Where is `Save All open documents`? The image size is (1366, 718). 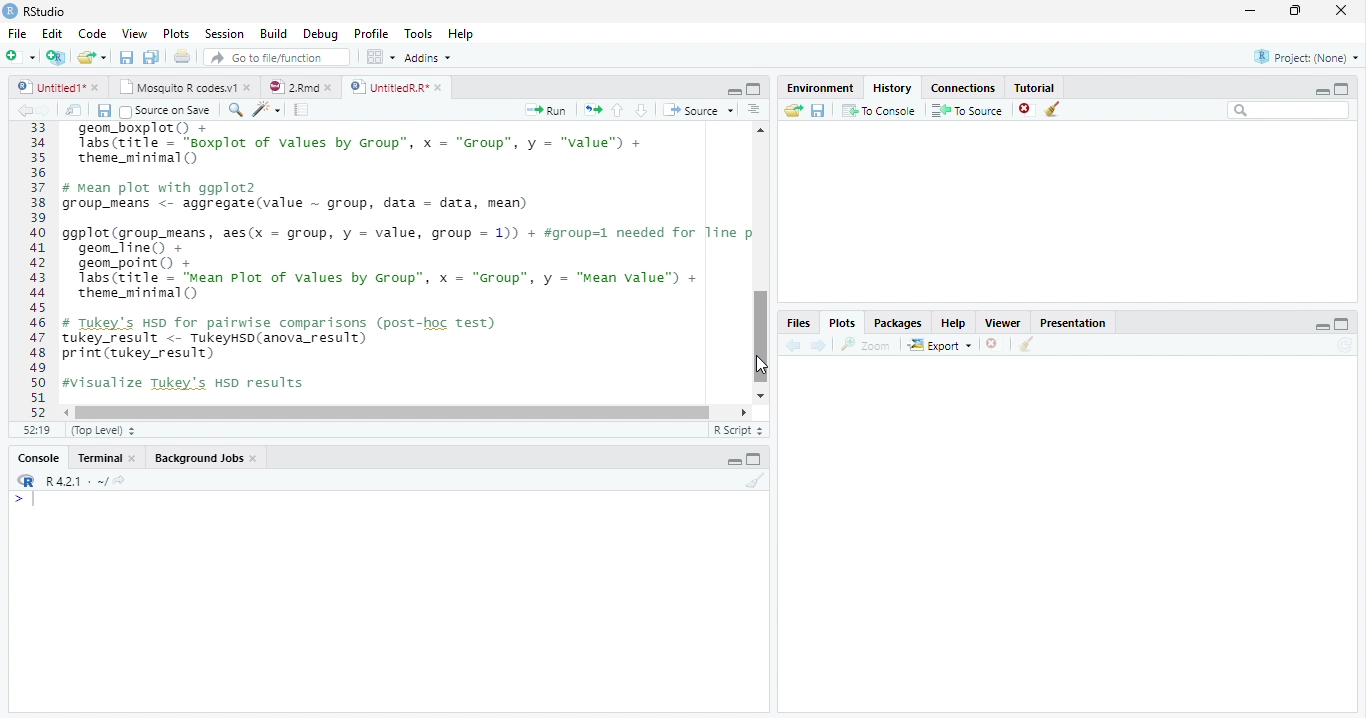 Save All open documents is located at coordinates (150, 57).